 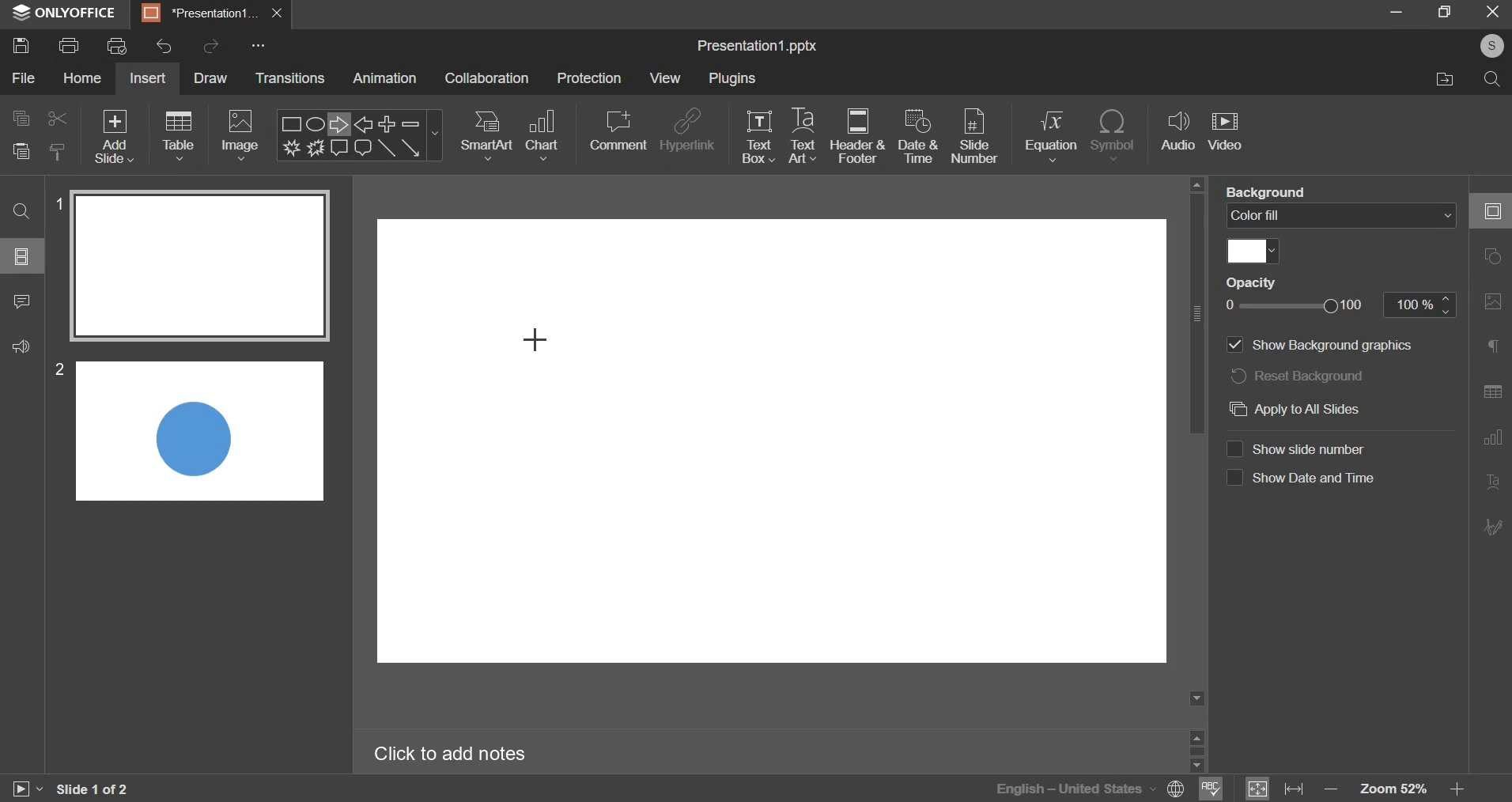 What do you see at coordinates (23, 78) in the screenshot?
I see `file` at bounding box center [23, 78].